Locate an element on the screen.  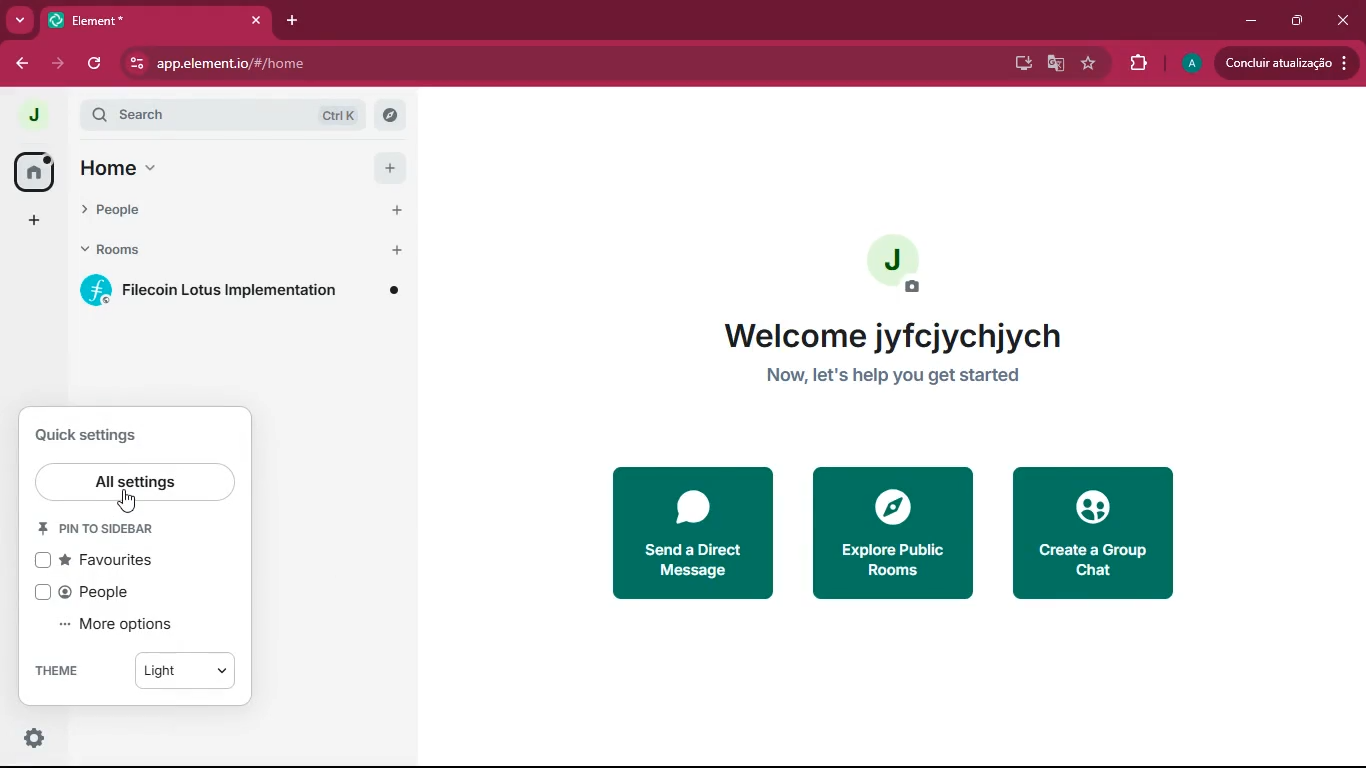
Add room is located at coordinates (393, 250).